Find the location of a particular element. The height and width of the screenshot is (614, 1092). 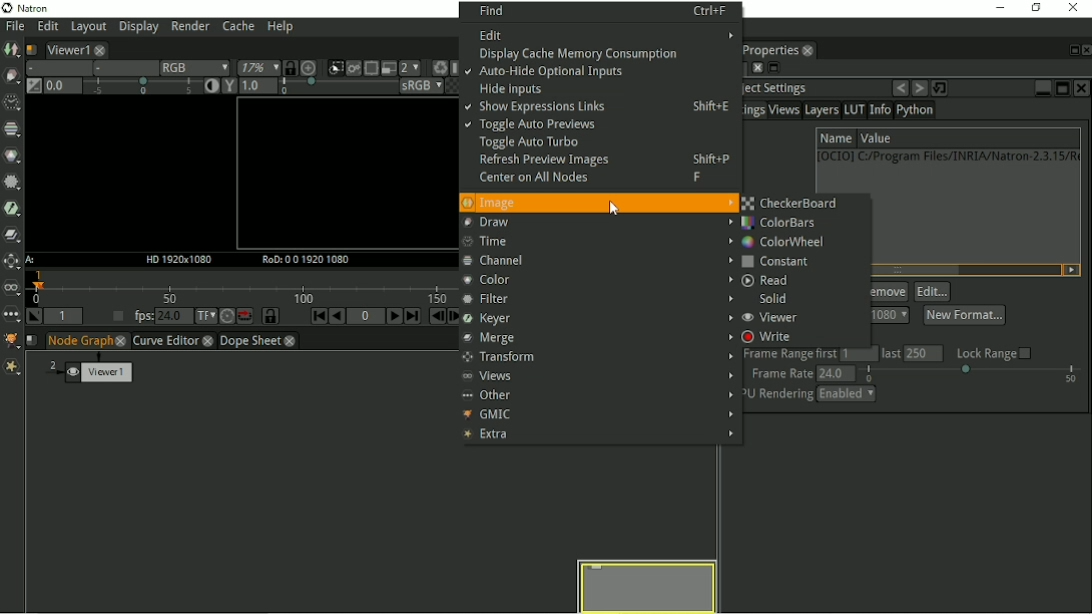

Frame range is located at coordinates (848, 354).